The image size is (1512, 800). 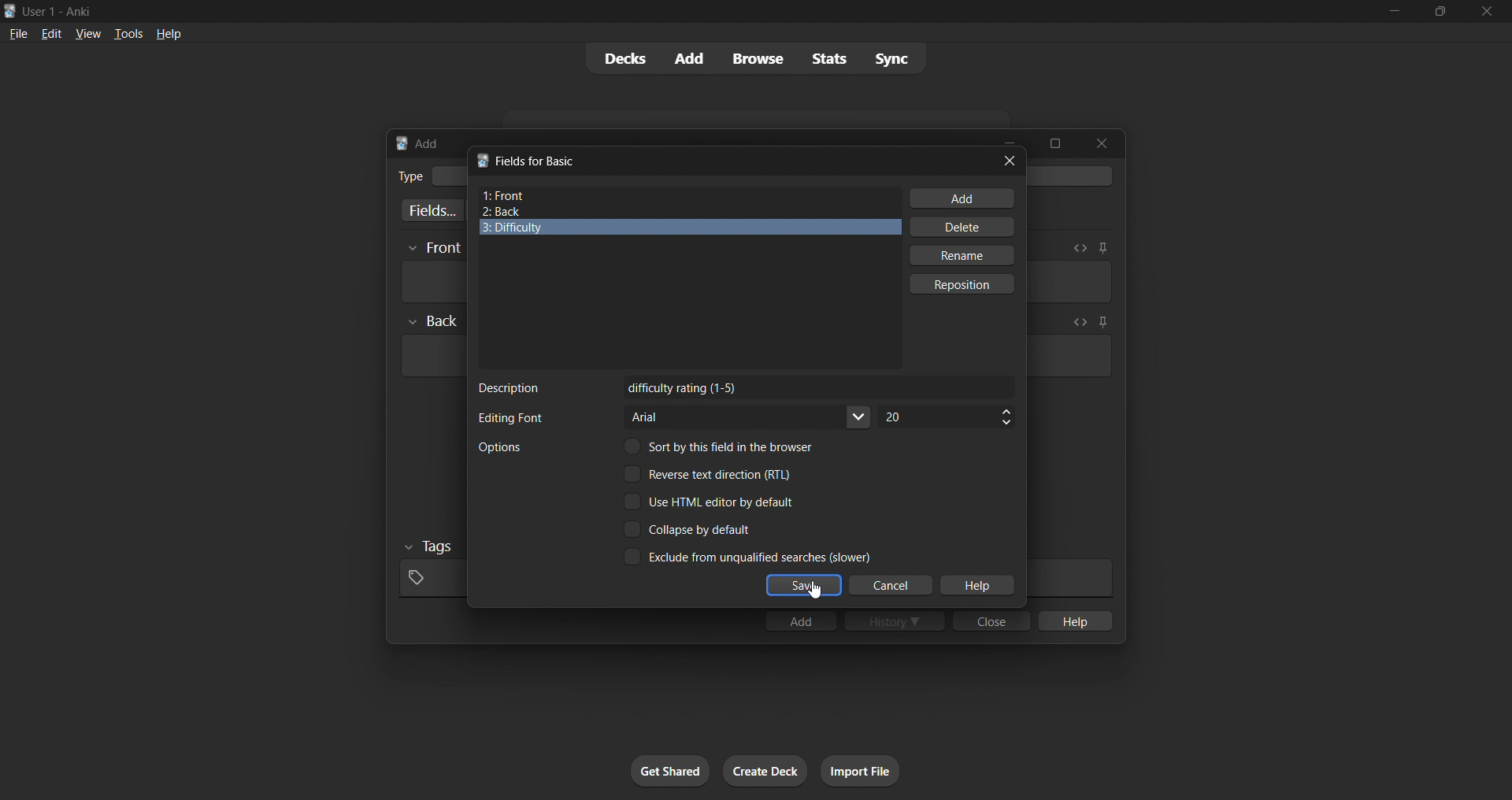 What do you see at coordinates (1080, 248) in the screenshot?
I see `Toggle HTML editor` at bounding box center [1080, 248].